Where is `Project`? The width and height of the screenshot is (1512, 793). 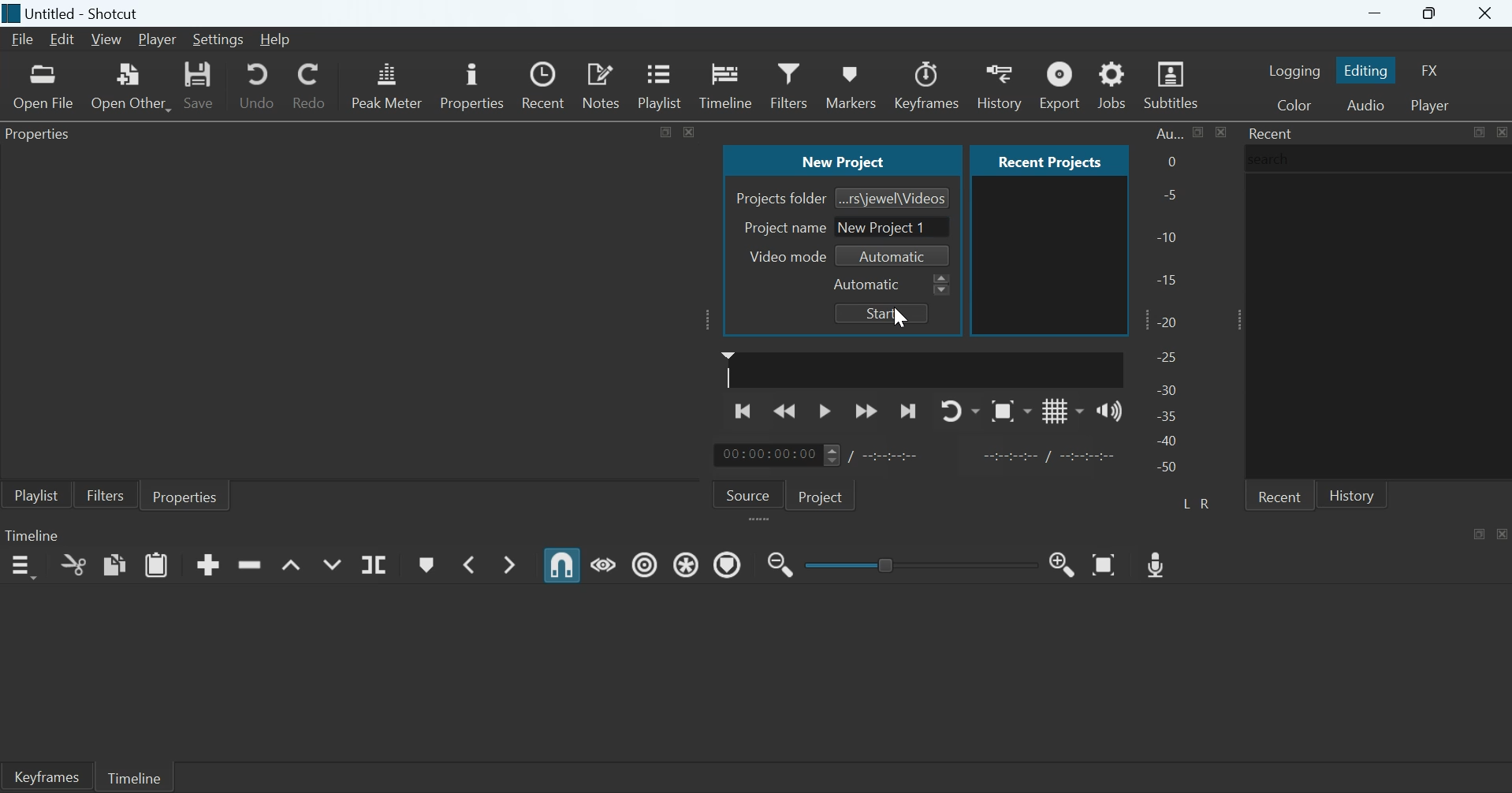 Project is located at coordinates (823, 495).